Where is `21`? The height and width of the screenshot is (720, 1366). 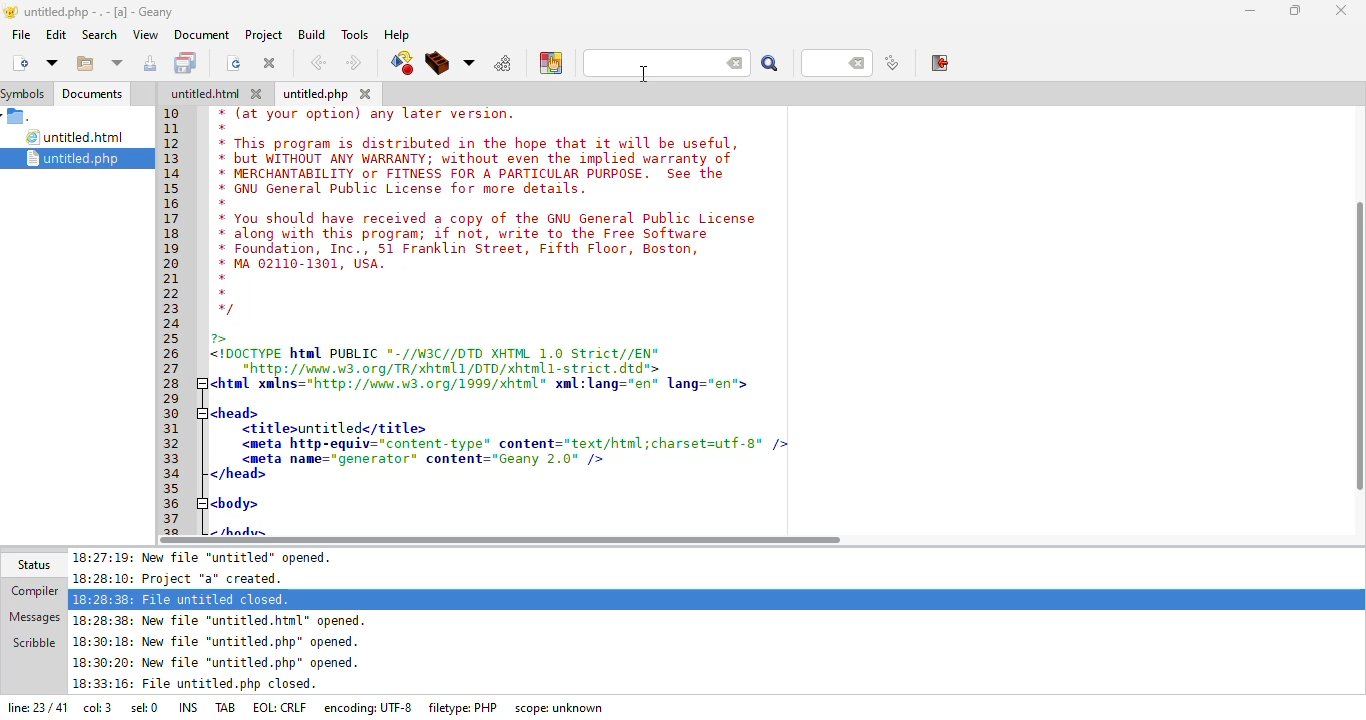
21 is located at coordinates (173, 278).